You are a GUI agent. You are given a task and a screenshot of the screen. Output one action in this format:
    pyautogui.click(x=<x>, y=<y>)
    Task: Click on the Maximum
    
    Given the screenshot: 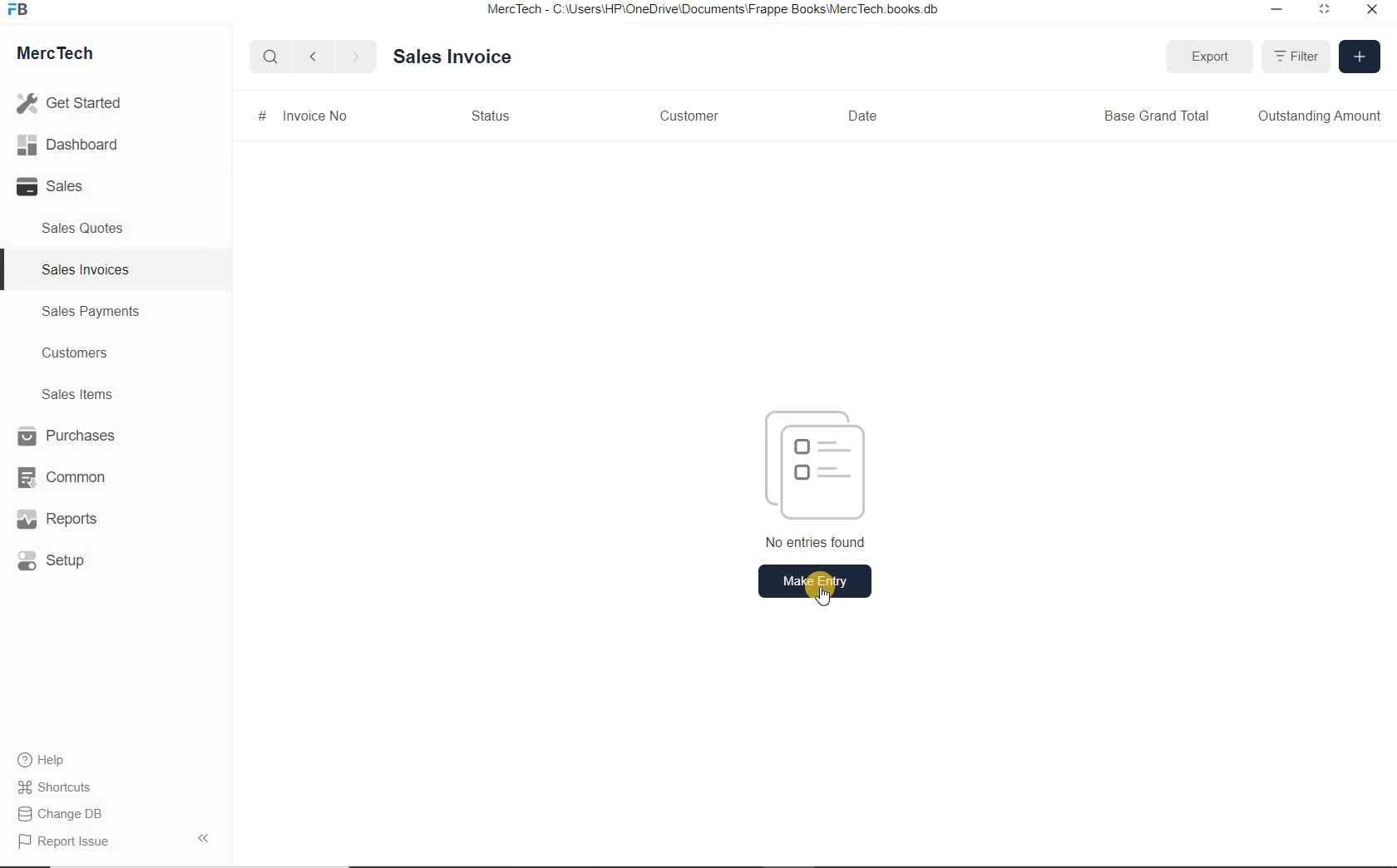 What is the action you would take?
    pyautogui.click(x=1325, y=12)
    